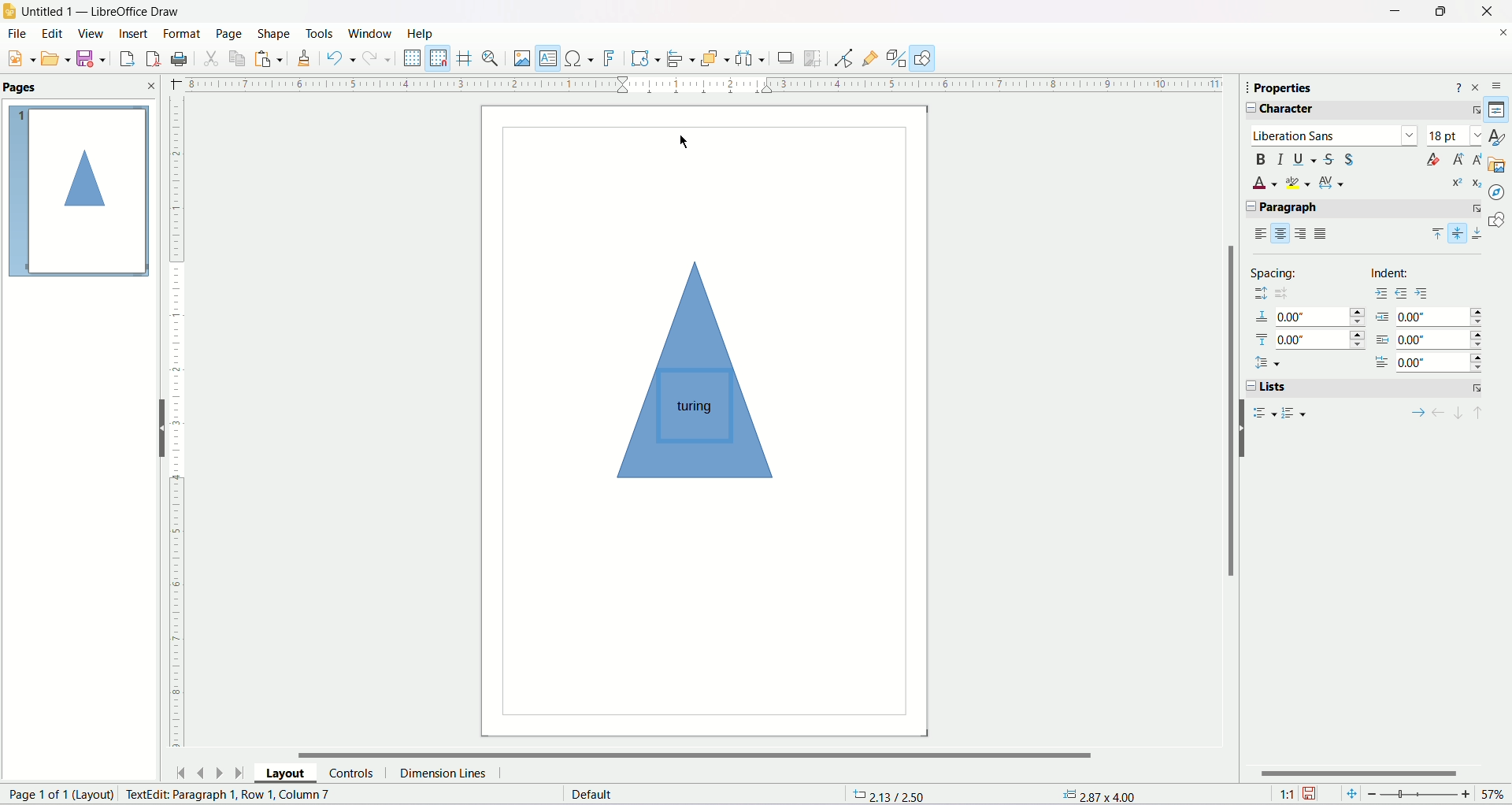 The width and height of the screenshot is (1512, 805). What do you see at coordinates (102, 10) in the screenshot?
I see `Untitled1 - Libreoffice Draw` at bounding box center [102, 10].